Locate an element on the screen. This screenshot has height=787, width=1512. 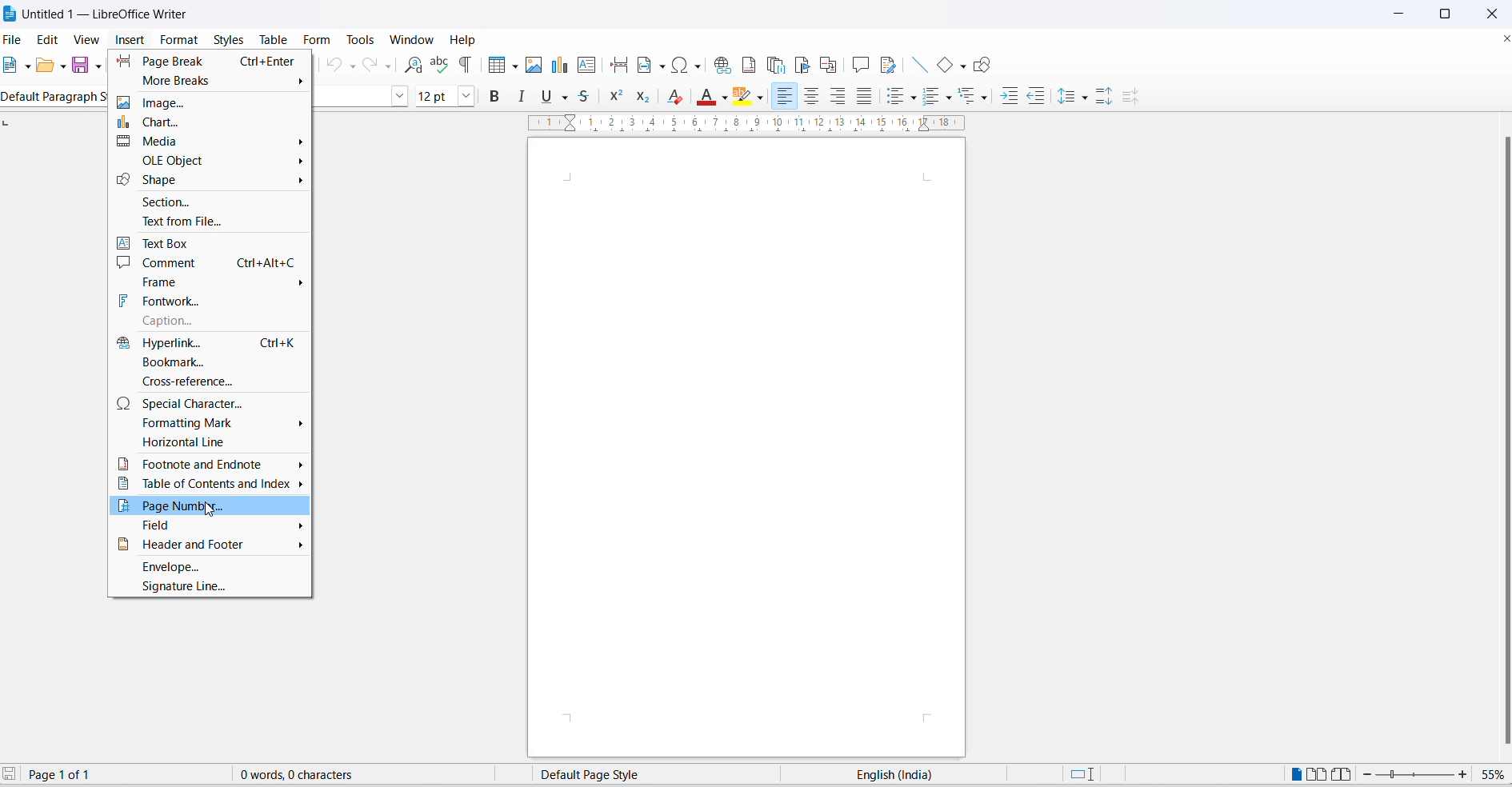
line spacing is located at coordinates (1068, 97).